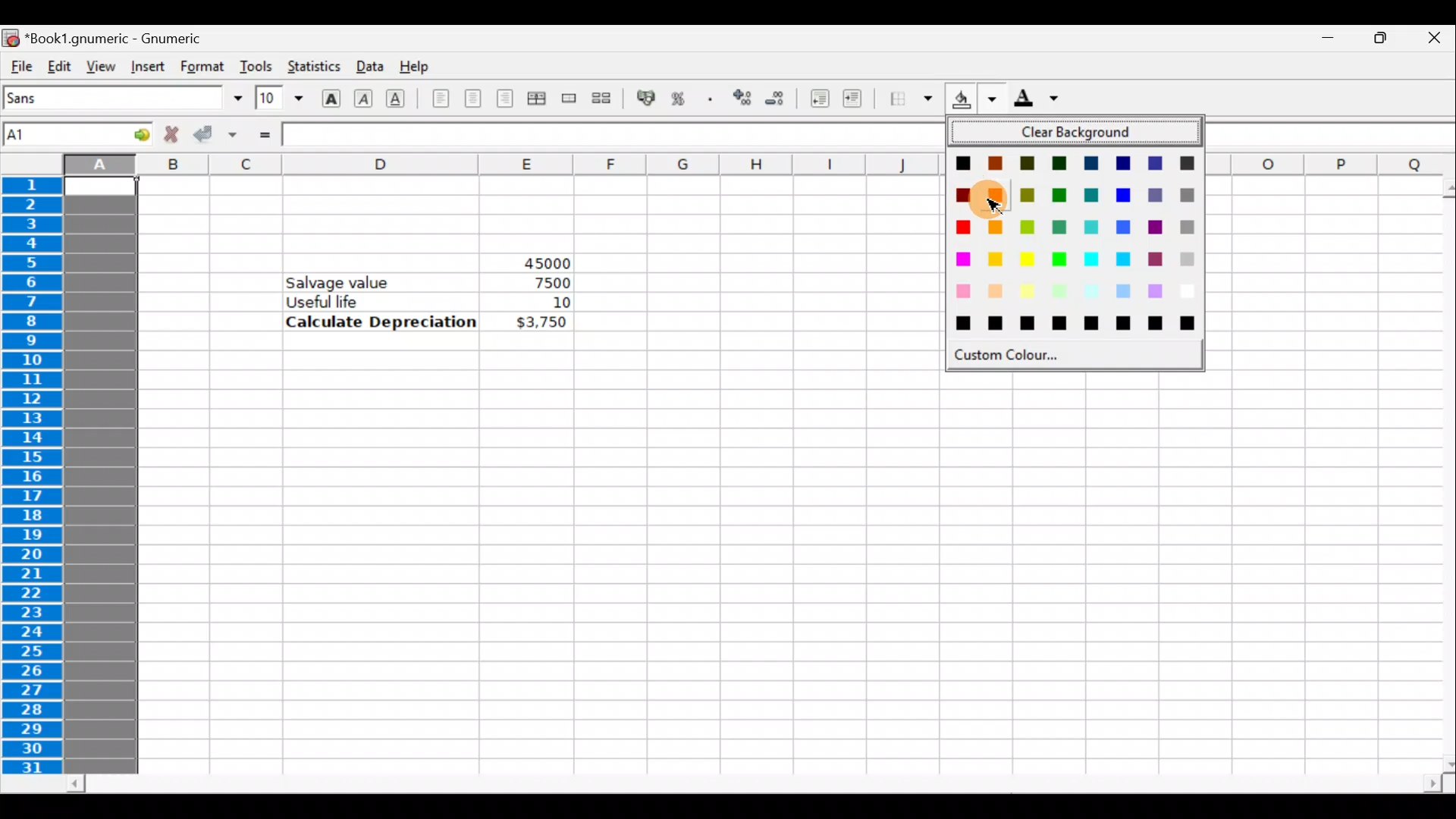 This screenshot has height=819, width=1456. I want to click on Increase indent, align contents to the left, so click(859, 100).